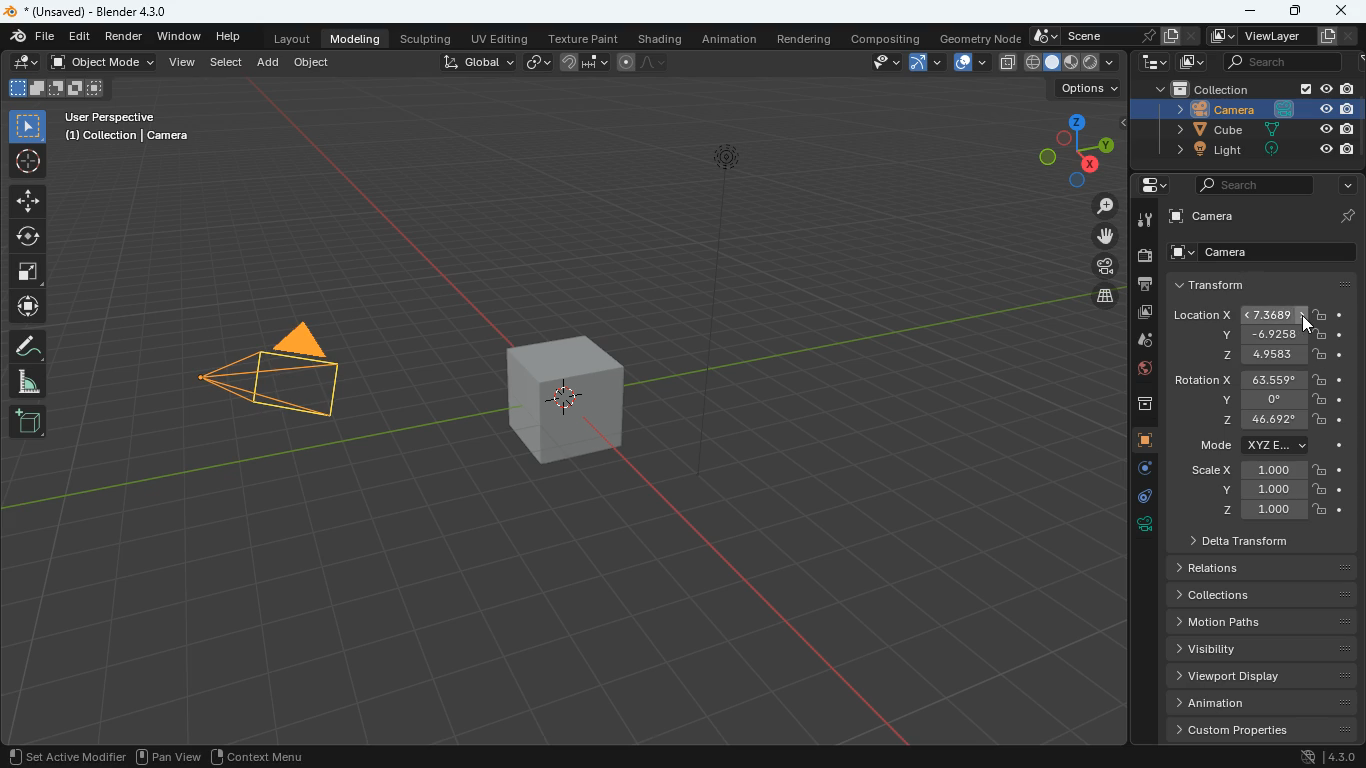 This screenshot has width=1366, height=768. I want to click on custom properties, so click(1259, 729).